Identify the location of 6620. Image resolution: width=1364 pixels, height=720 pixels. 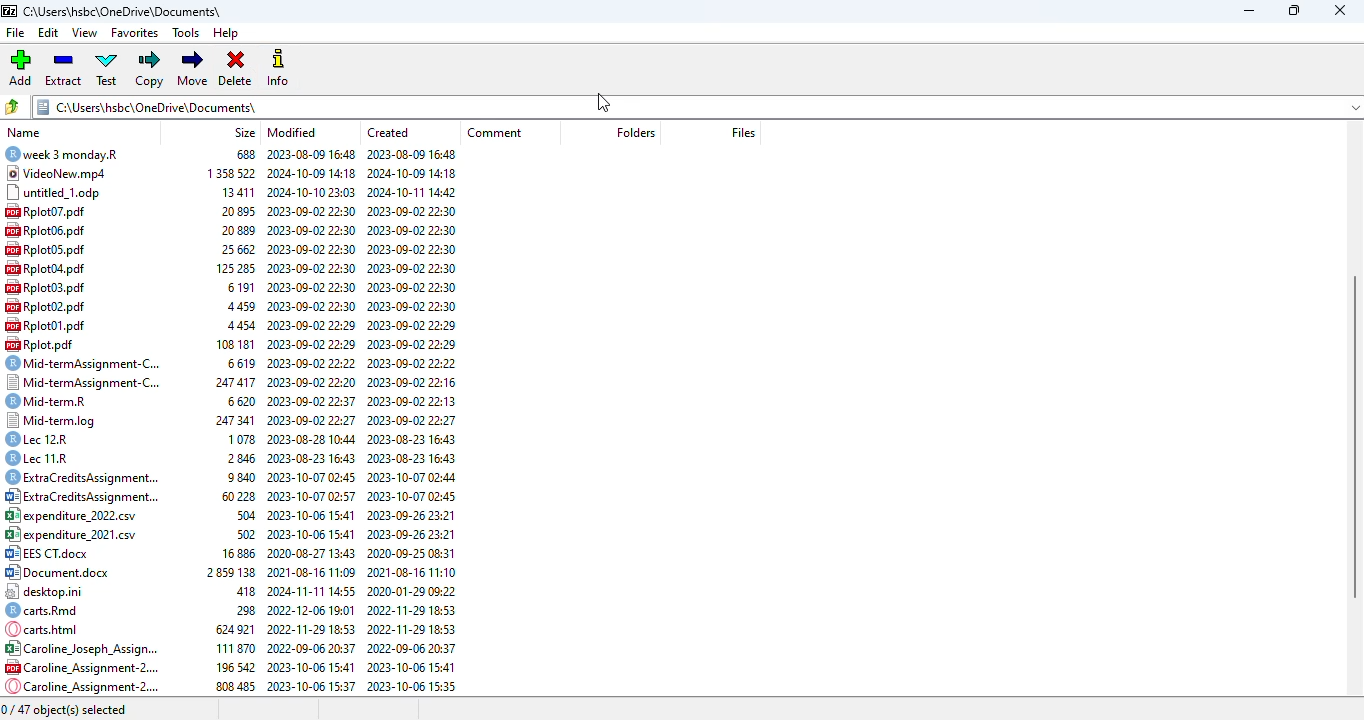
(233, 399).